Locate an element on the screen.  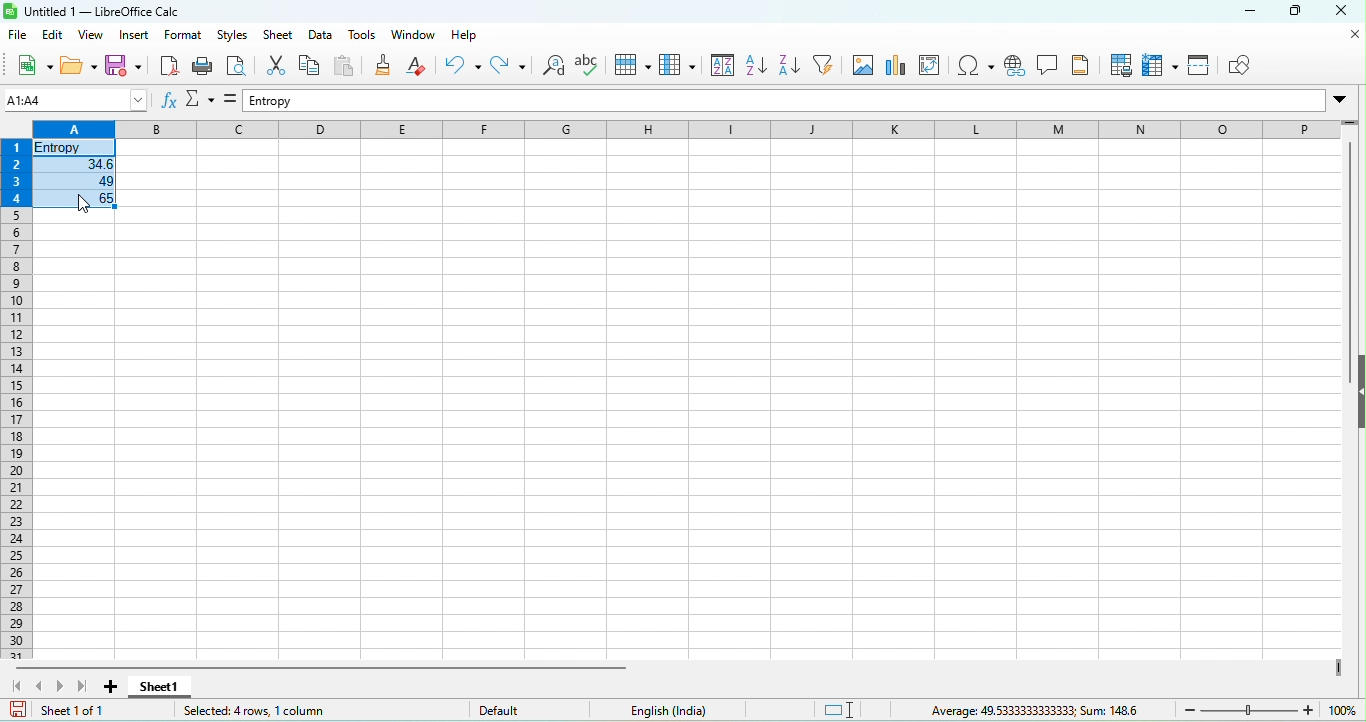
headers and footers is located at coordinates (1086, 67).